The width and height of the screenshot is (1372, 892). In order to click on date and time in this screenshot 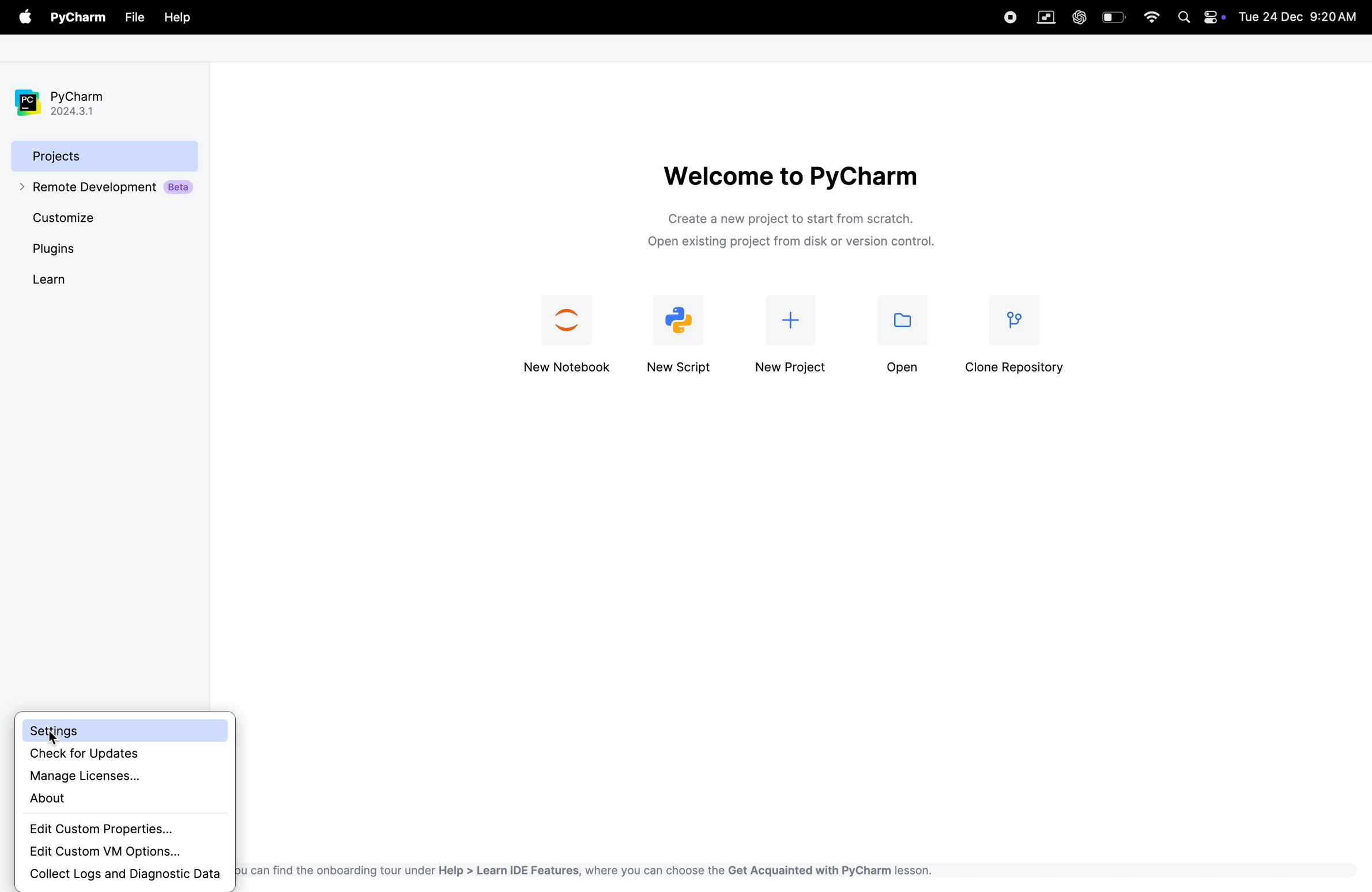, I will do `click(1301, 16)`.